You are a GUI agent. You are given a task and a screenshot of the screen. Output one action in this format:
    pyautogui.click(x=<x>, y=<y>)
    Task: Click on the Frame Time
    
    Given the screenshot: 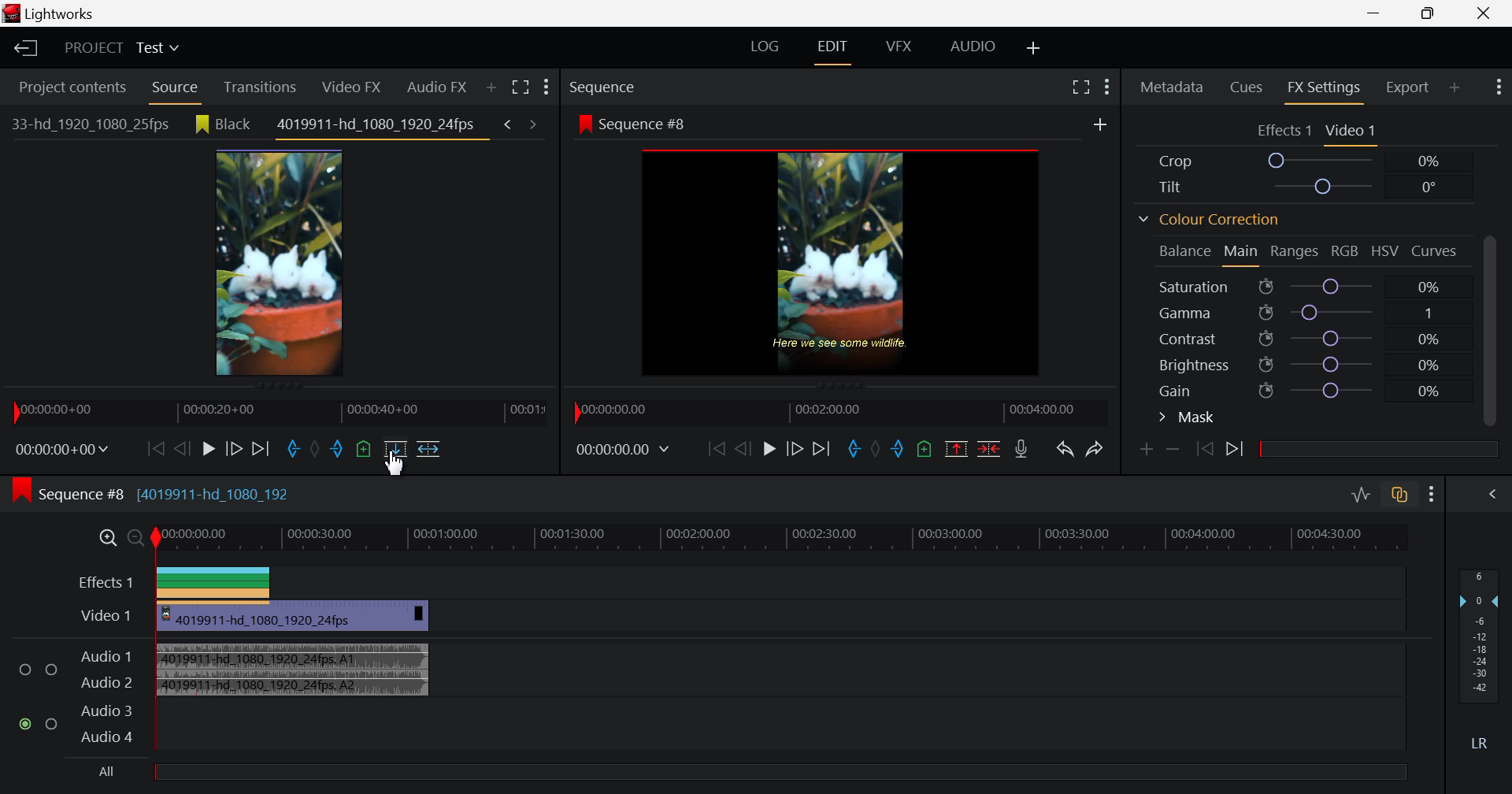 What is the action you would take?
    pyautogui.click(x=625, y=447)
    